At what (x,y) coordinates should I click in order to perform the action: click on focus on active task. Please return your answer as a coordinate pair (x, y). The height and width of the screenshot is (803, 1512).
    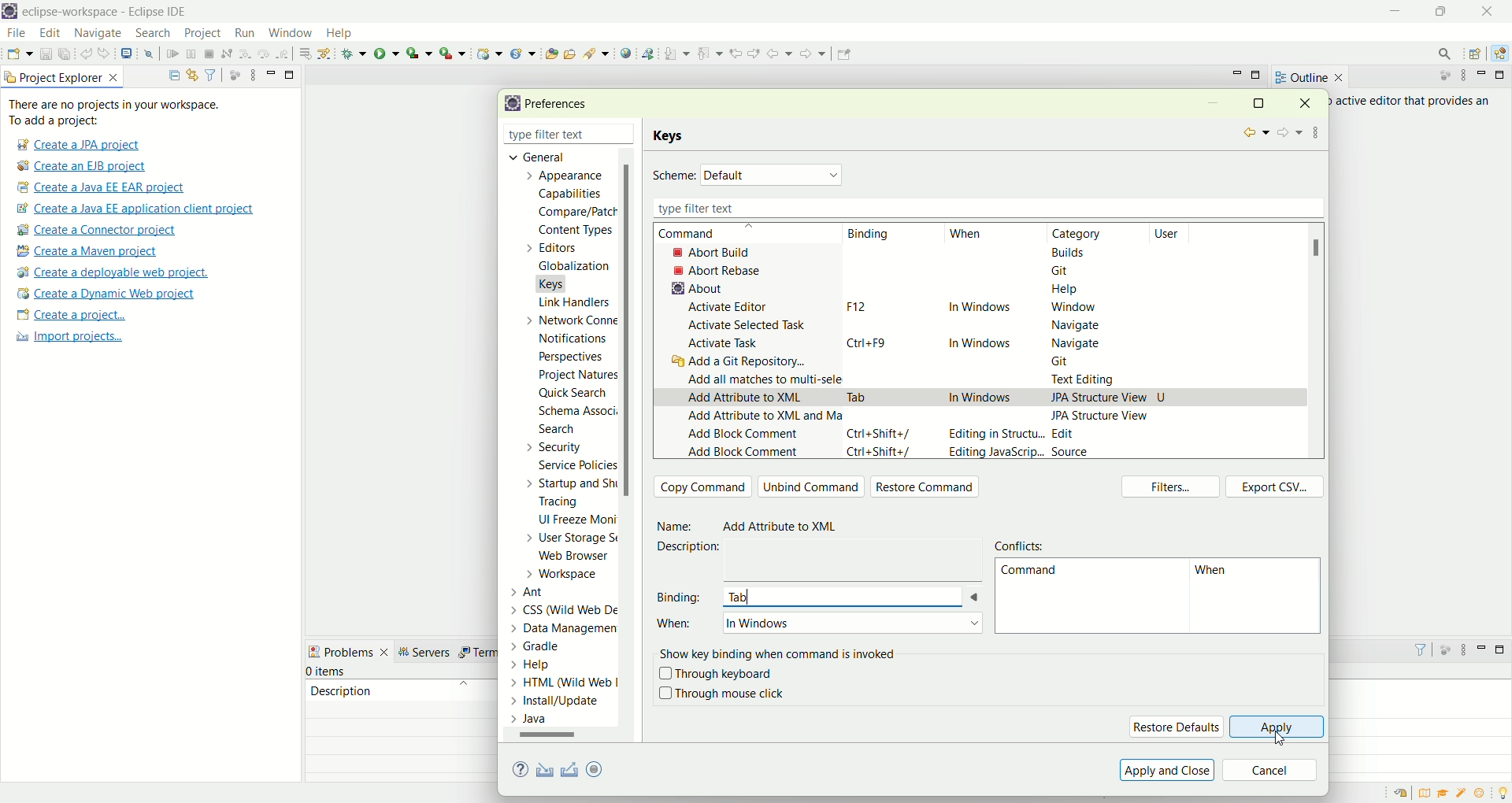
    Looking at the image, I should click on (233, 74).